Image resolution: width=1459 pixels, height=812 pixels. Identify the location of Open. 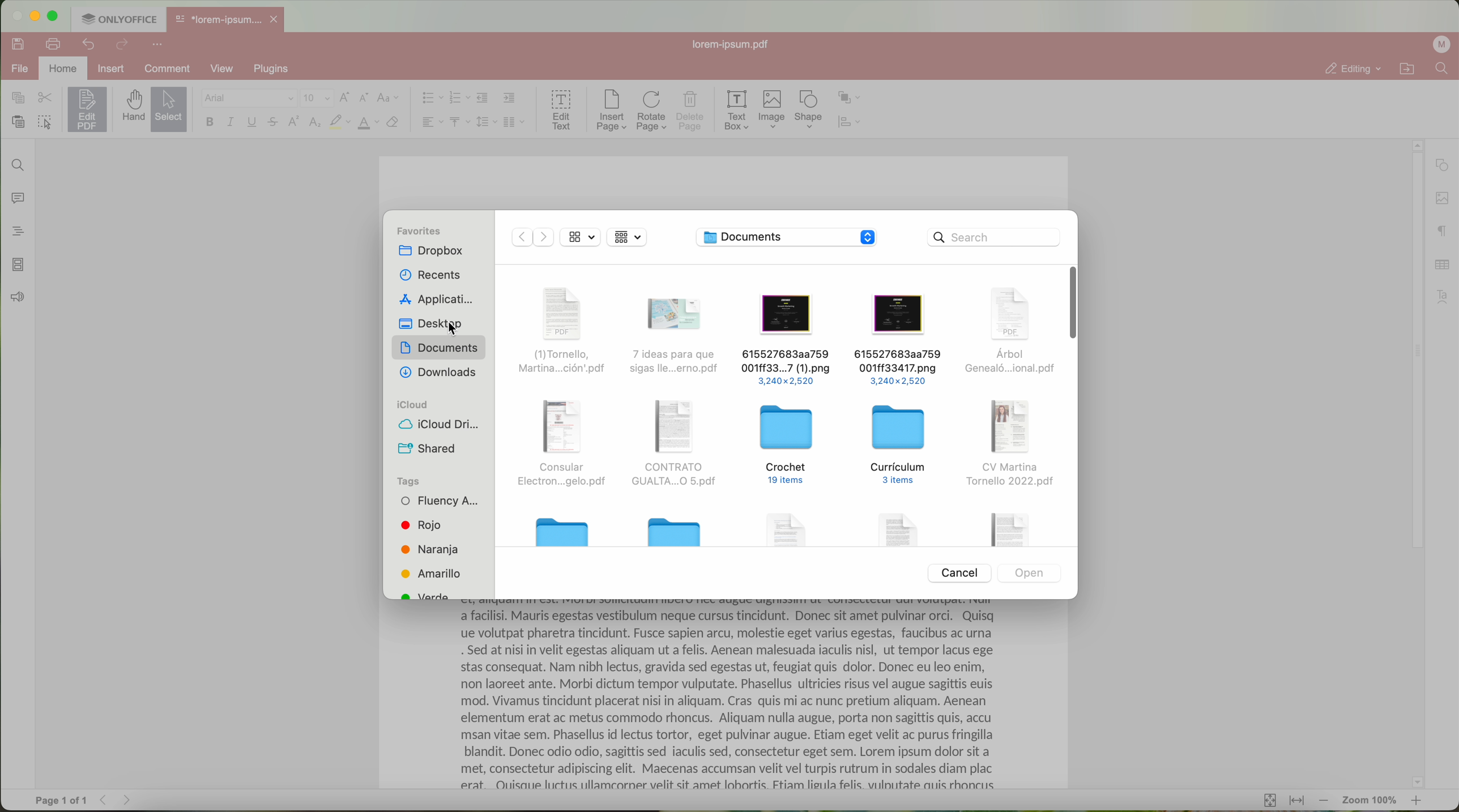
(1029, 572).